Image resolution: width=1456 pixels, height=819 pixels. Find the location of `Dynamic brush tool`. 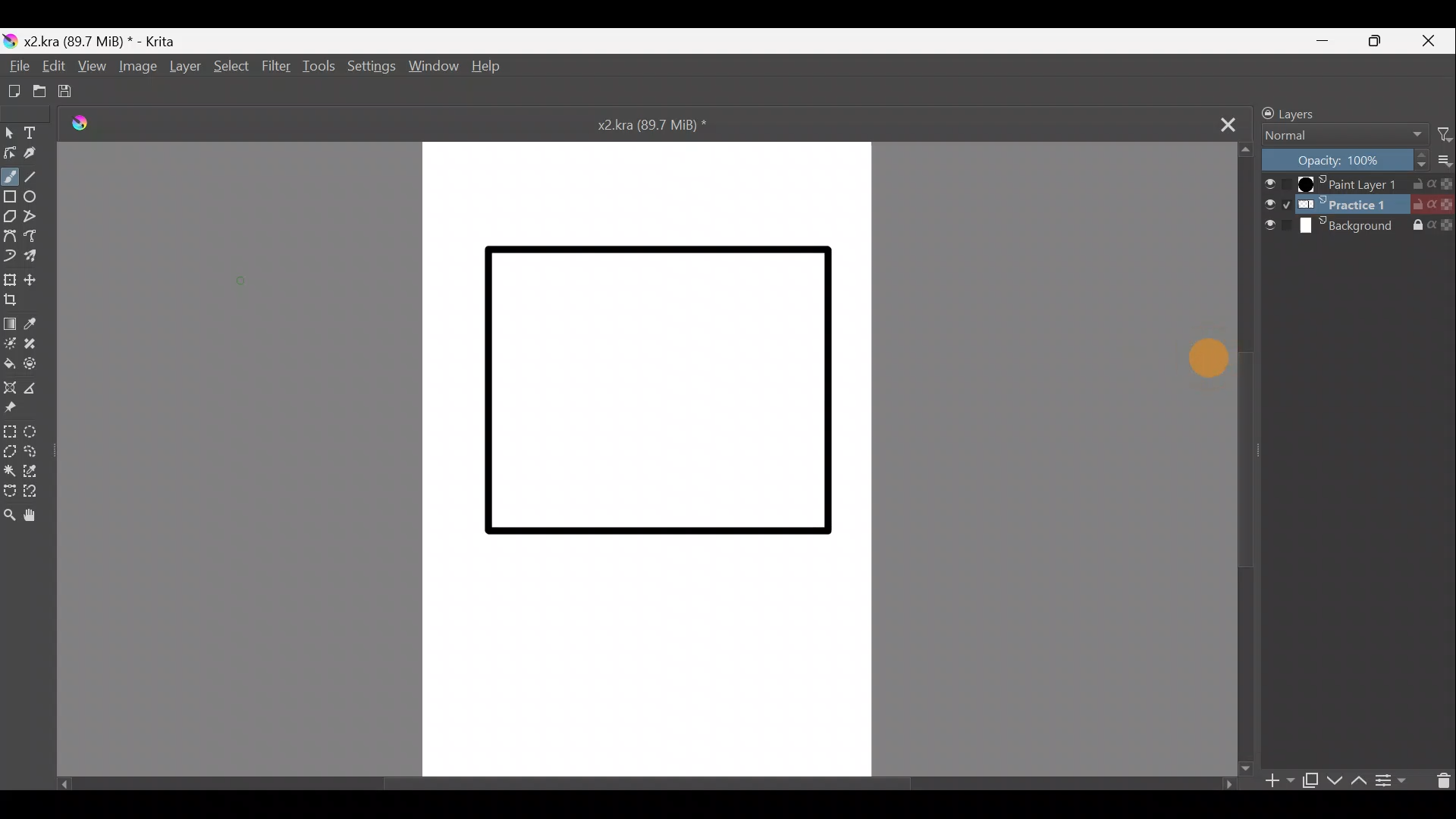

Dynamic brush tool is located at coordinates (9, 256).